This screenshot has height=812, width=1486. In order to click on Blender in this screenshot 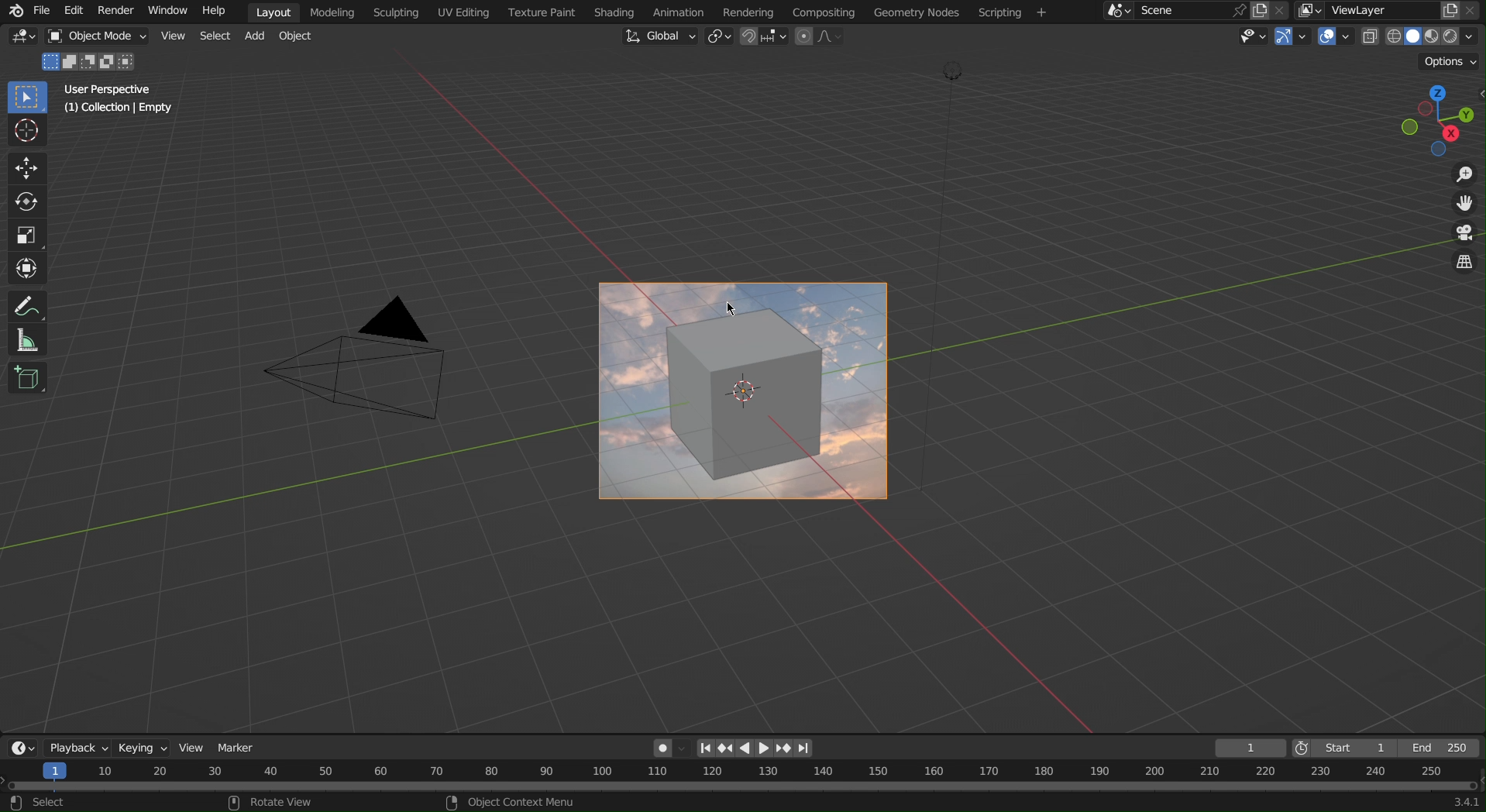, I will do `click(12, 10)`.